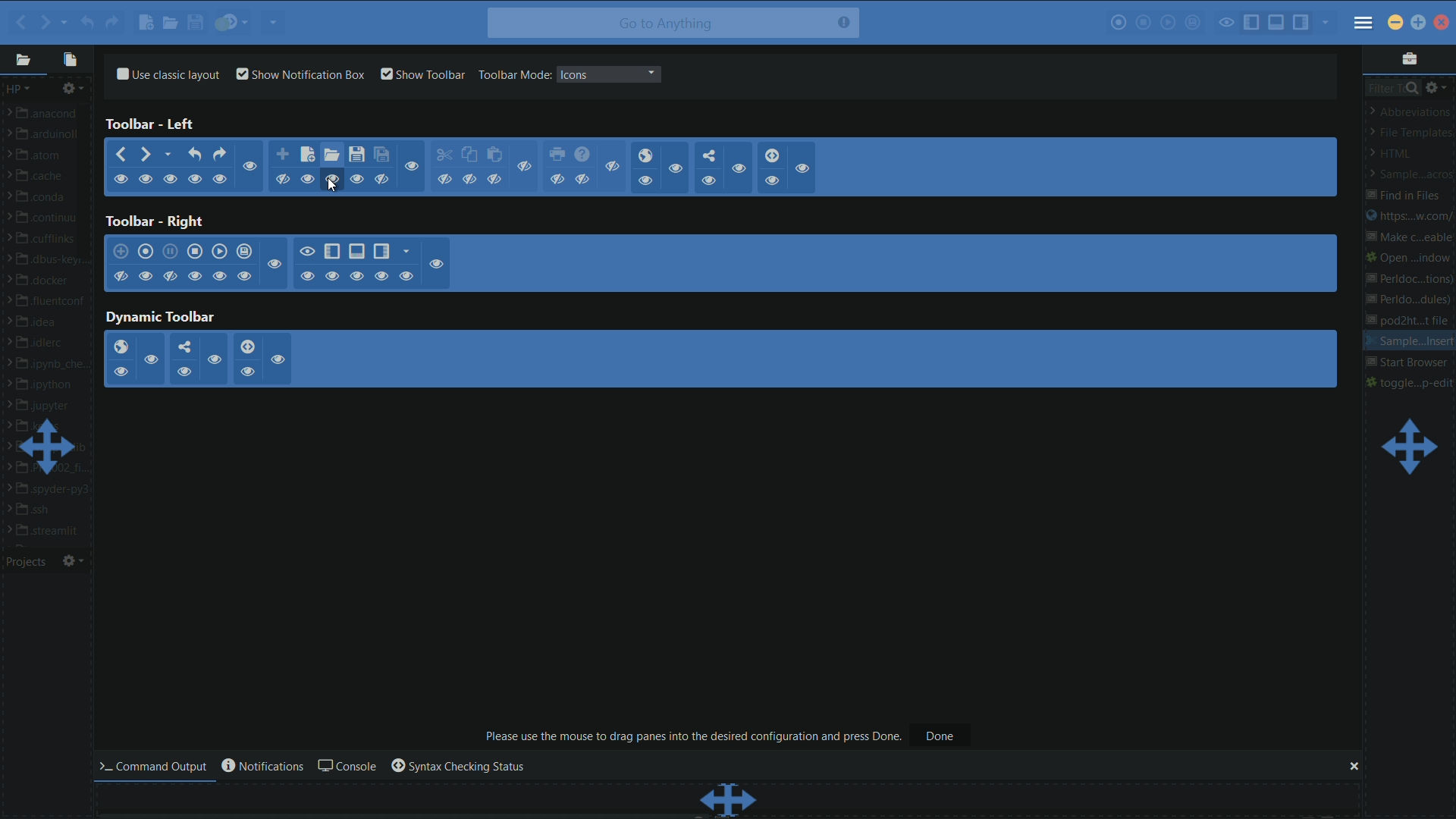  Describe the element at coordinates (157, 766) in the screenshot. I see `command output` at that location.